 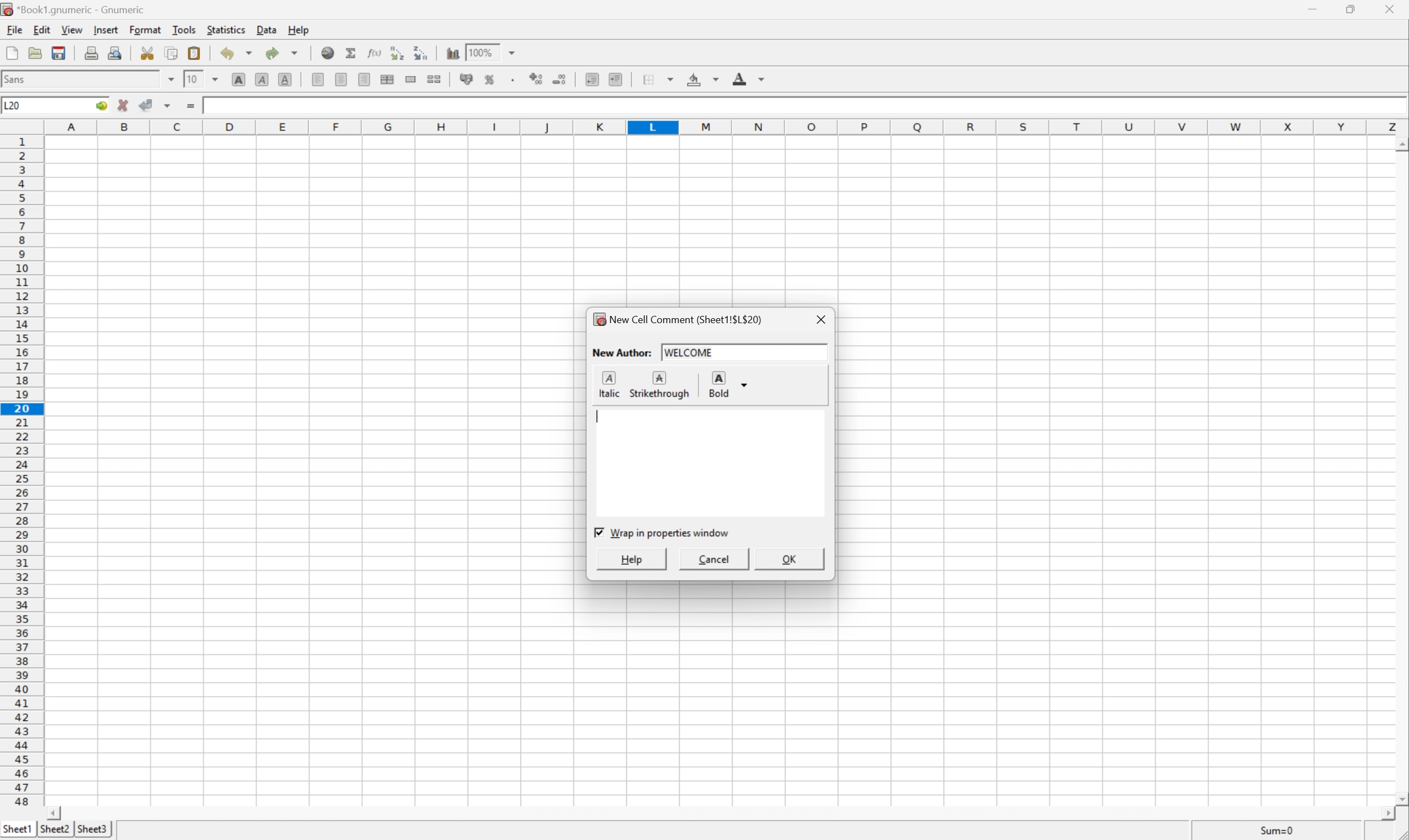 What do you see at coordinates (194, 80) in the screenshot?
I see `10` at bounding box center [194, 80].